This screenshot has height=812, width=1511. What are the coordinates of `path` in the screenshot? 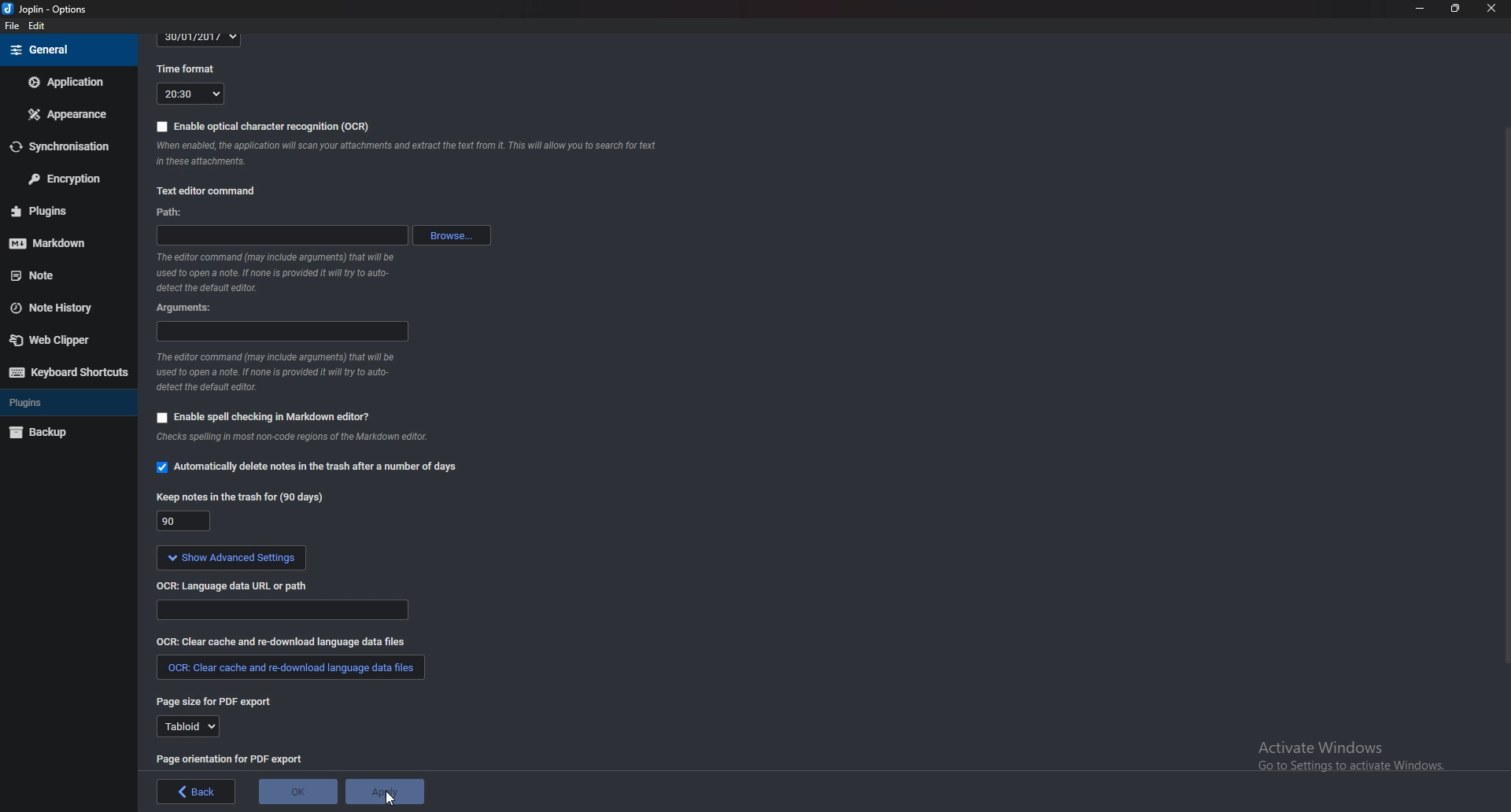 It's located at (282, 235).